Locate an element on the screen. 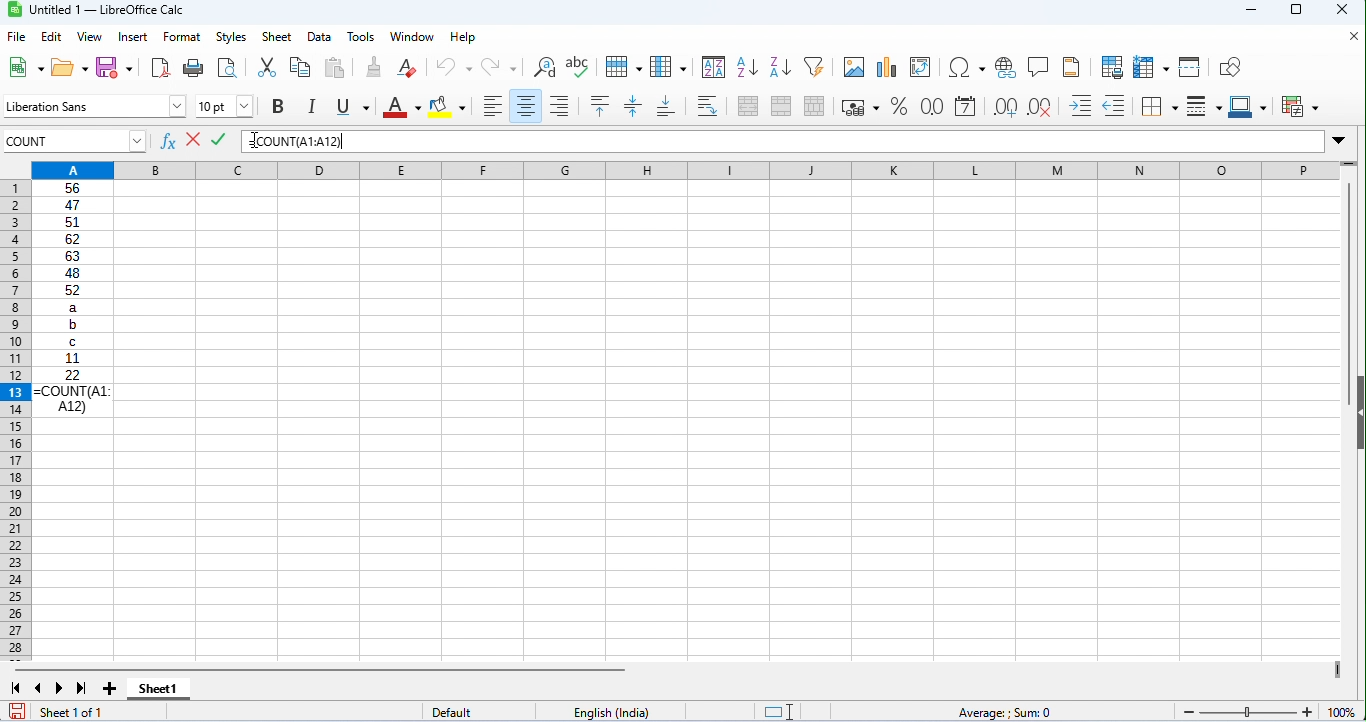 Image resolution: width=1366 pixels, height=722 pixels. Expand/Collapse is located at coordinates (1338, 141).